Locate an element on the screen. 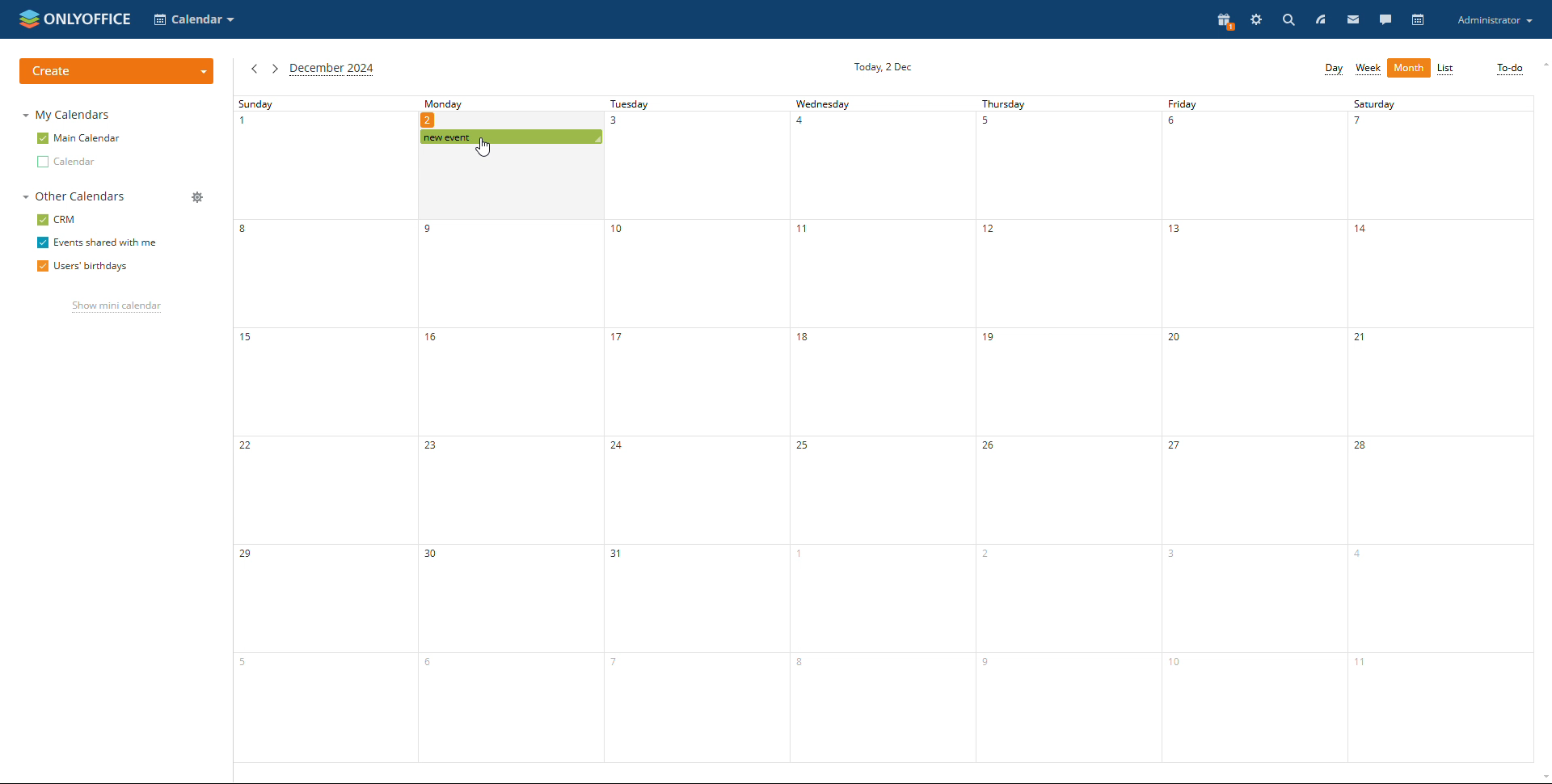  month view is located at coordinates (1409, 69).